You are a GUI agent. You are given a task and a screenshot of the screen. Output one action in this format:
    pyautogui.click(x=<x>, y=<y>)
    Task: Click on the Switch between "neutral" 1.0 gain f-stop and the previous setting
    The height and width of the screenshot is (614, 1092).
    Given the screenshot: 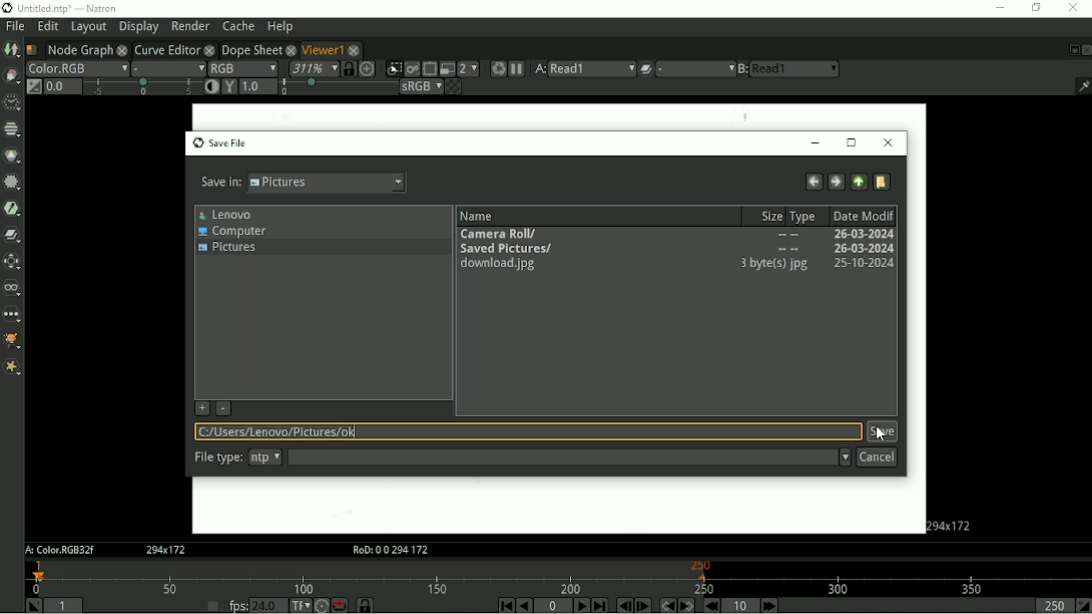 What is the action you would take?
    pyautogui.click(x=34, y=86)
    